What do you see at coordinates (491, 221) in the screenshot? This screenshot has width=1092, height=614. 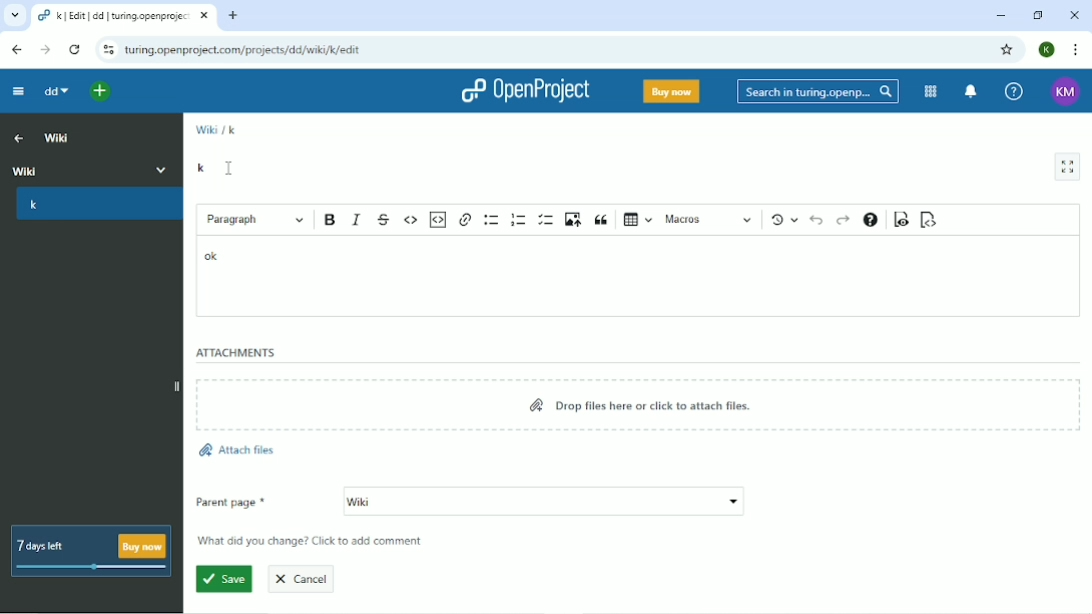 I see `Bulleted list` at bounding box center [491, 221].